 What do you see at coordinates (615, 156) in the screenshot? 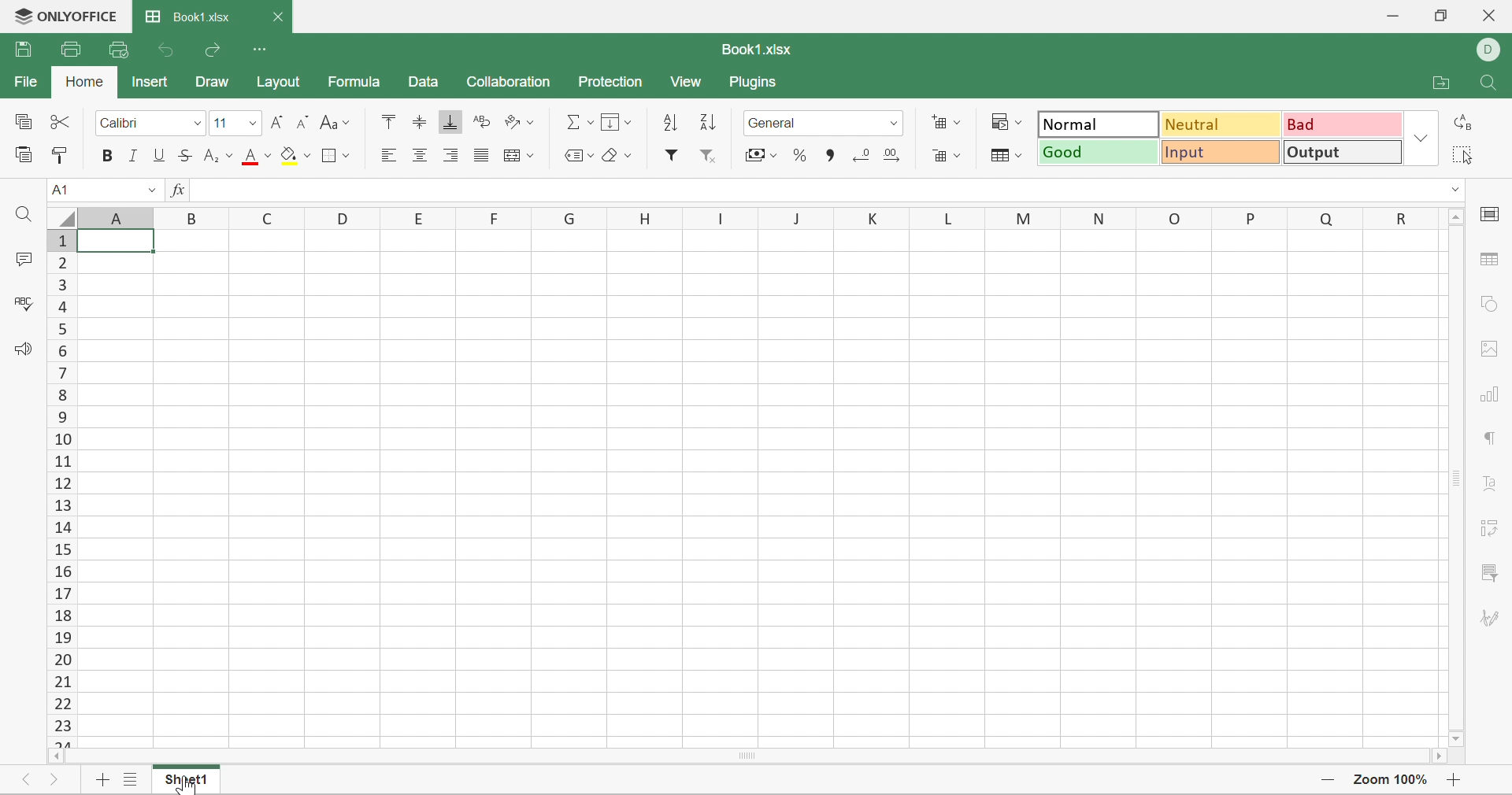
I see `Clear` at bounding box center [615, 156].